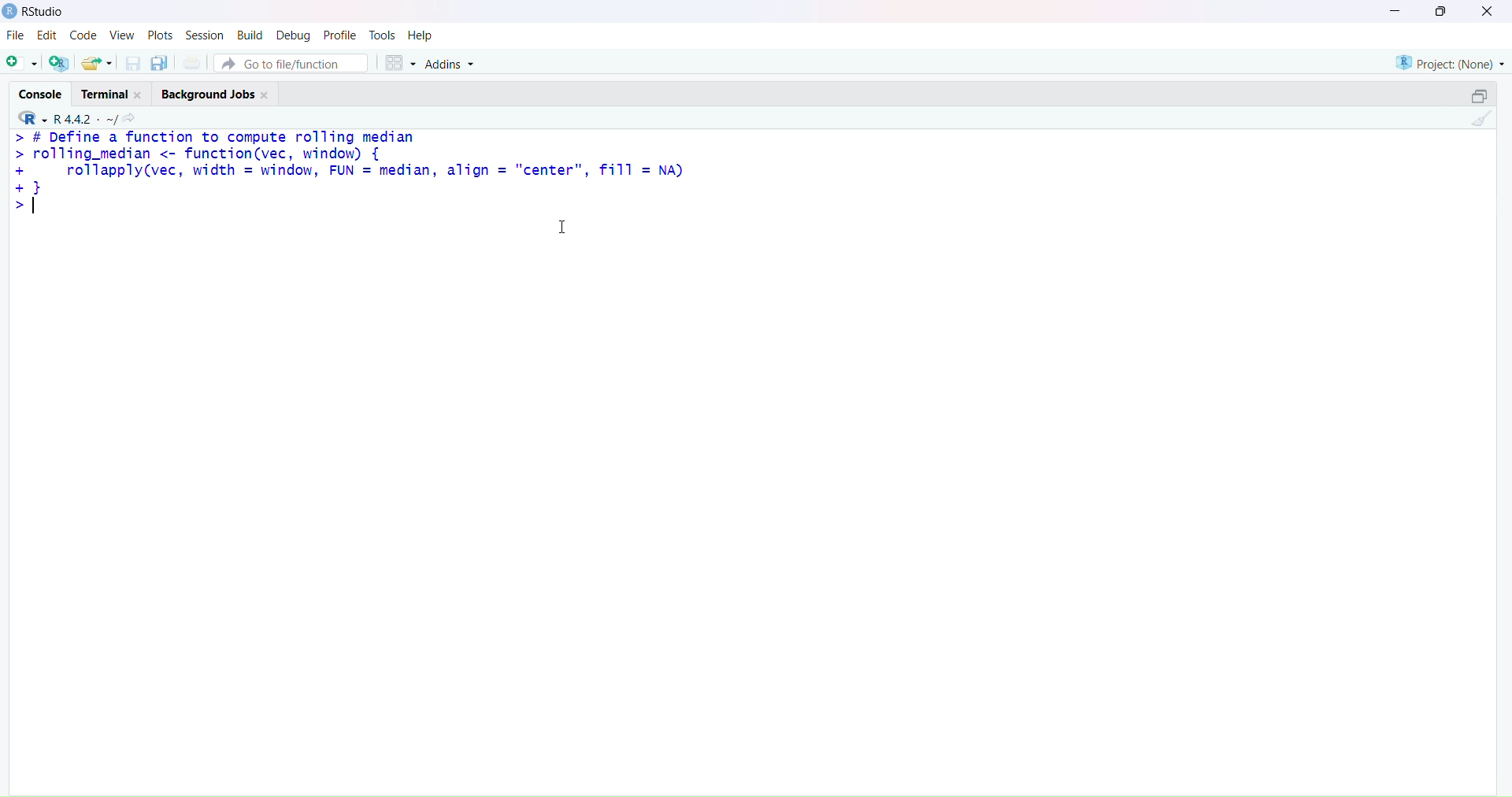  Describe the element at coordinates (250, 35) in the screenshot. I see `build` at that location.